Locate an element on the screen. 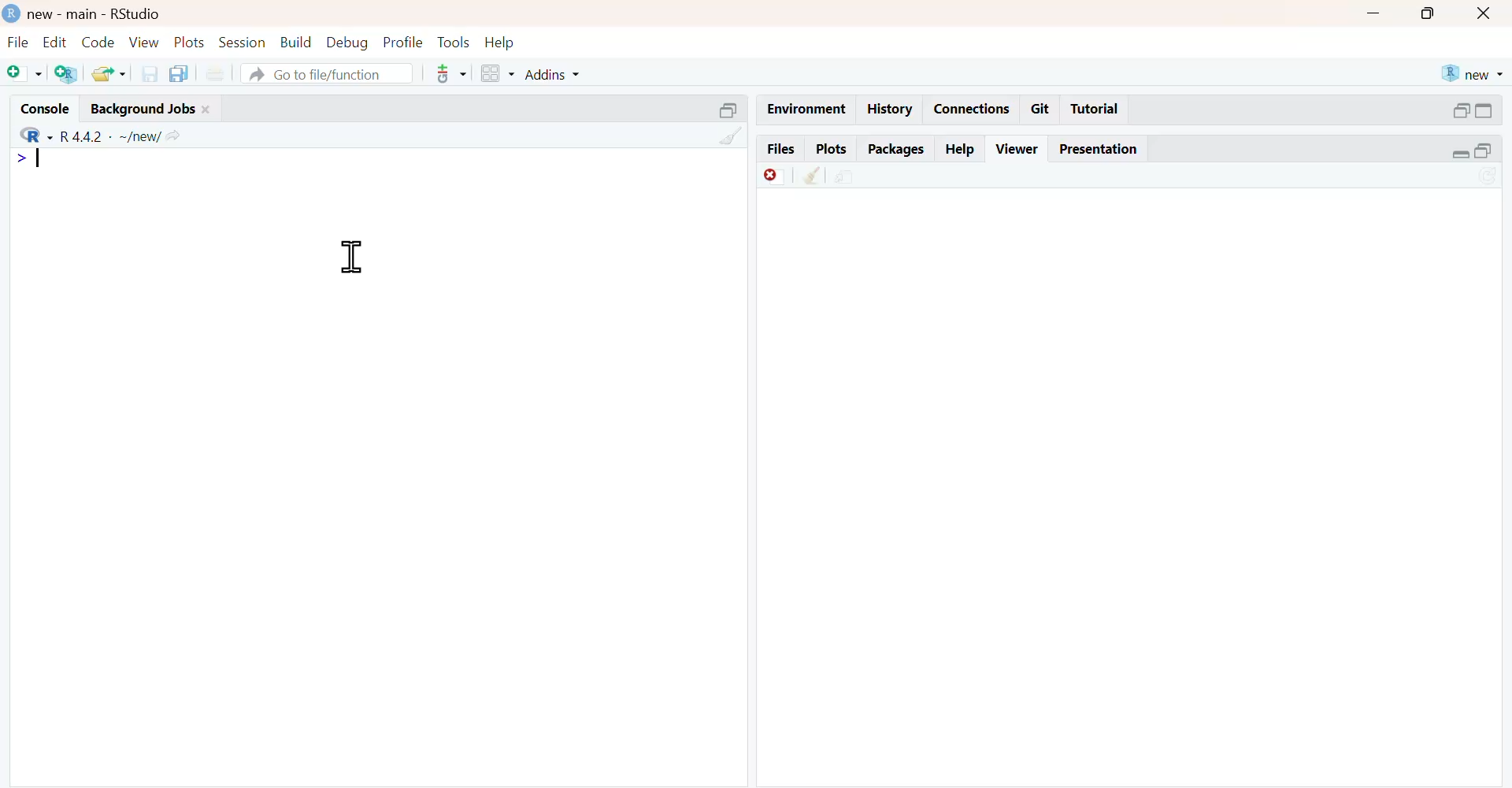  copy is located at coordinates (180, 73).